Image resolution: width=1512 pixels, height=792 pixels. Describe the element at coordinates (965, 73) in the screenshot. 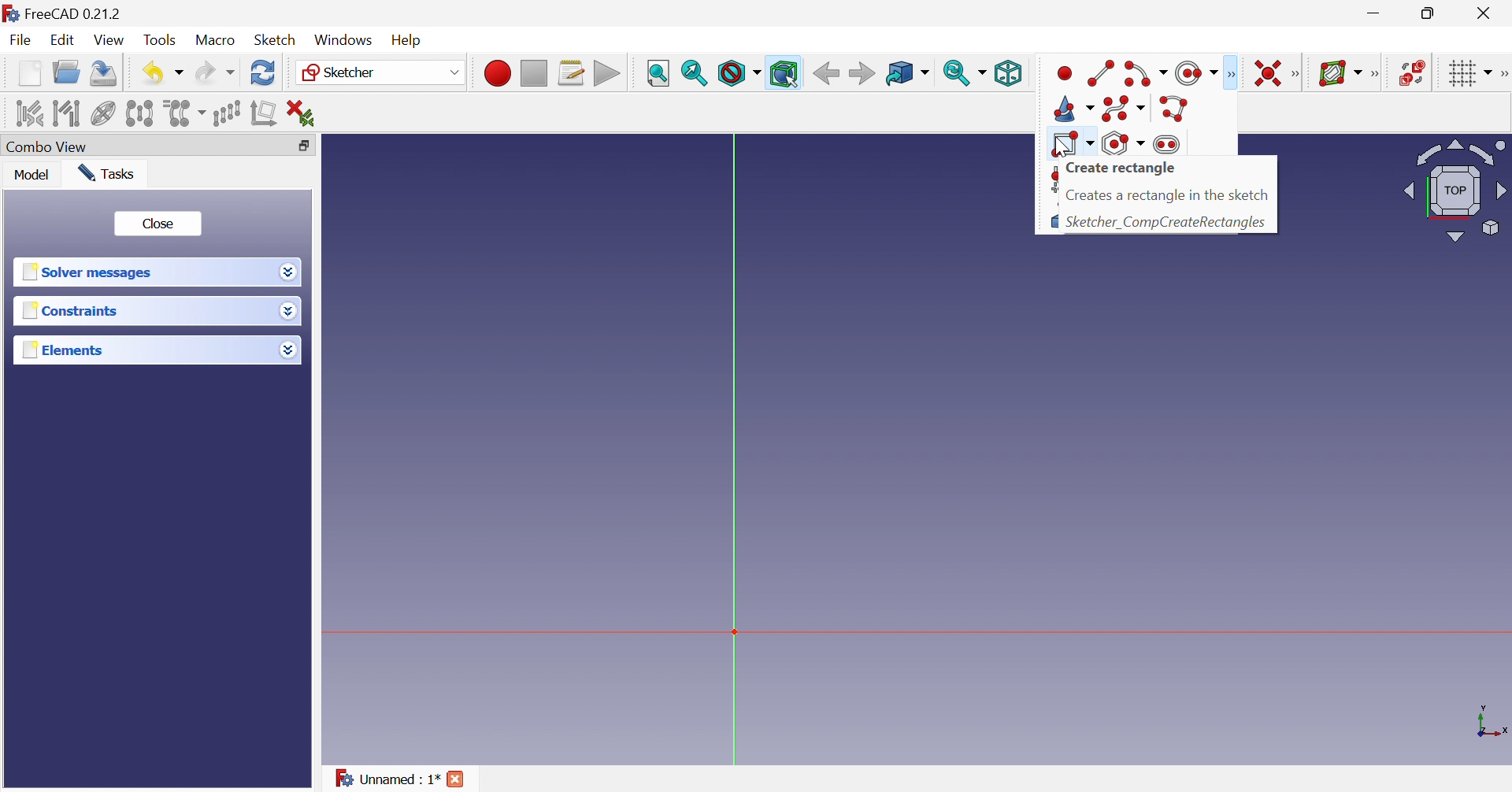

I see `Sync view` at that location.